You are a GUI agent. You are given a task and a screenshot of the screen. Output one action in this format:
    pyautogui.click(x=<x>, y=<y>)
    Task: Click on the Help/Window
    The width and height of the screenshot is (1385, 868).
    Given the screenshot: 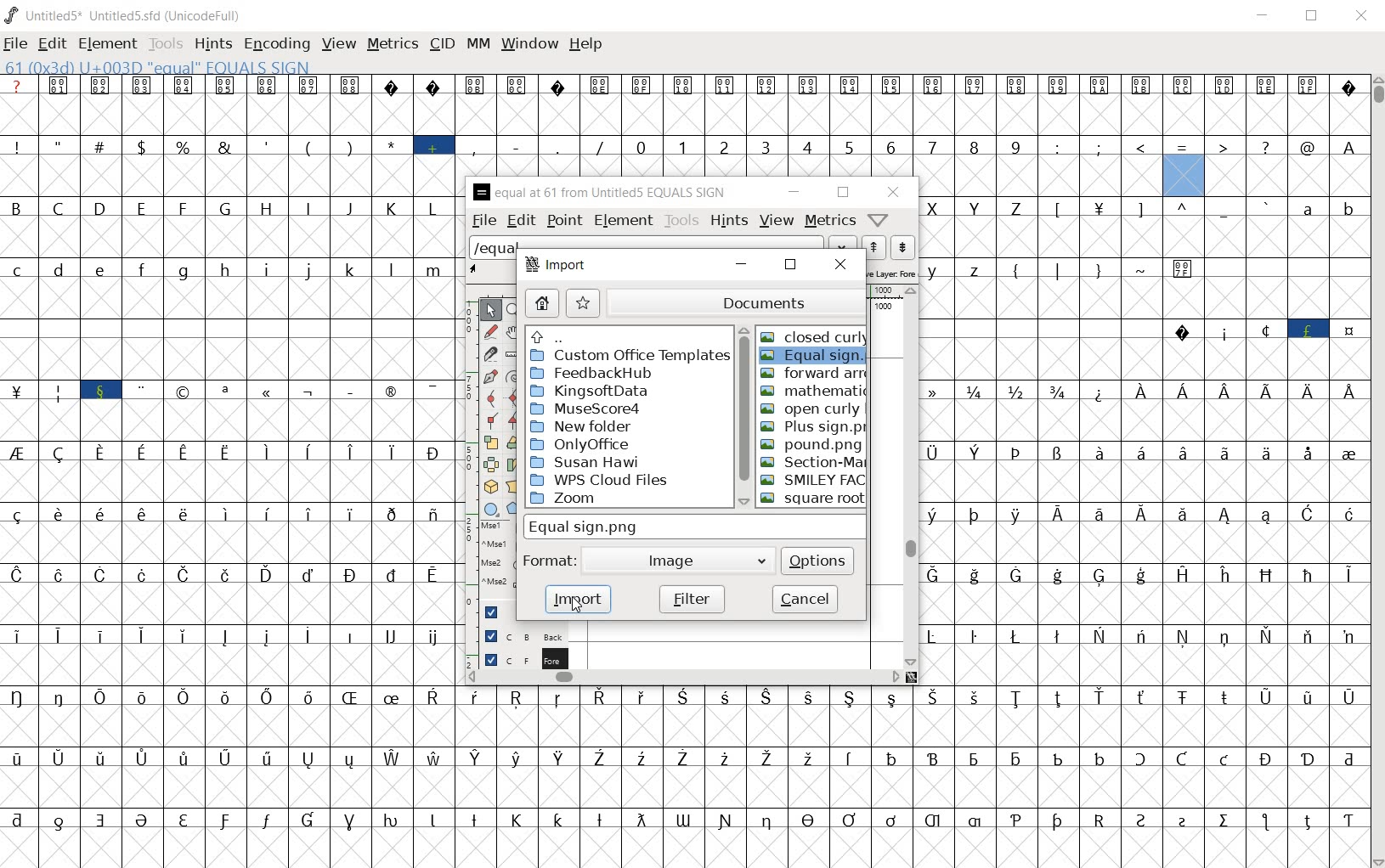 What is the action you would take?
    pyautogui.click(x=879, y=219)
    